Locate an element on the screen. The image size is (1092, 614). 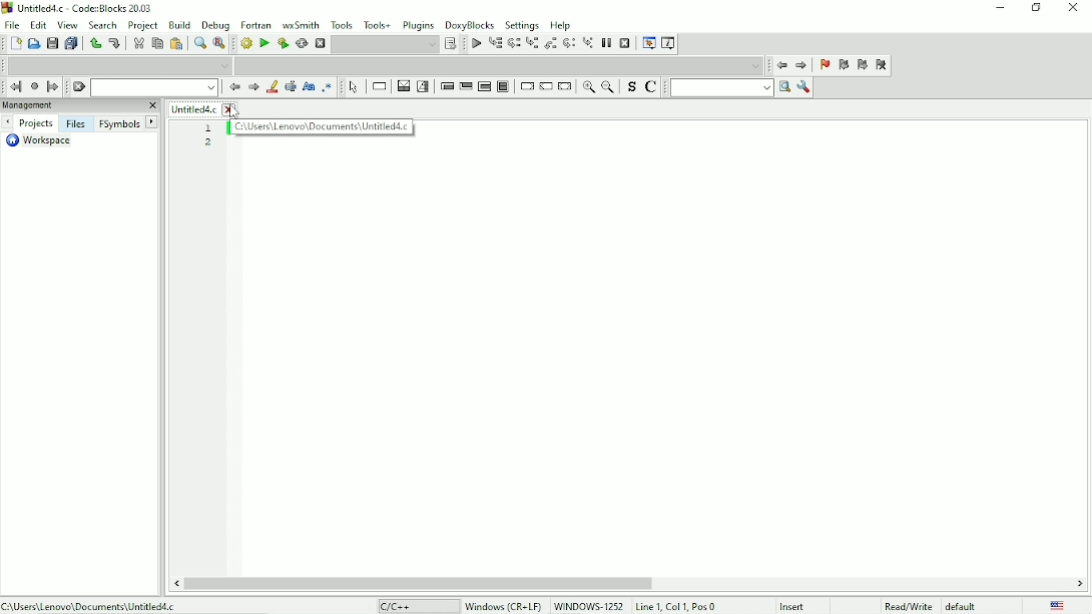
Select is located at coordinates (355, 87).